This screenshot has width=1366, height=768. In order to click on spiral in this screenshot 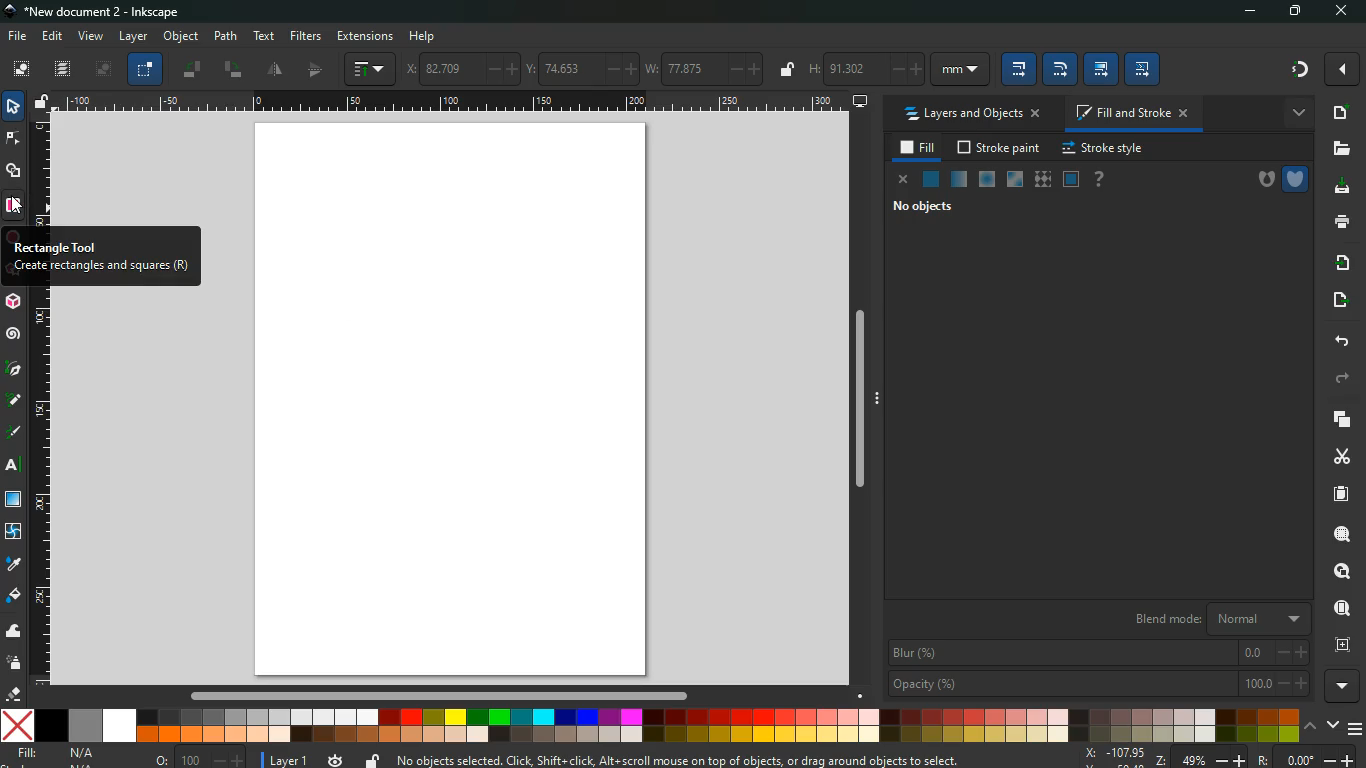, I will do `click(15, 335)`.